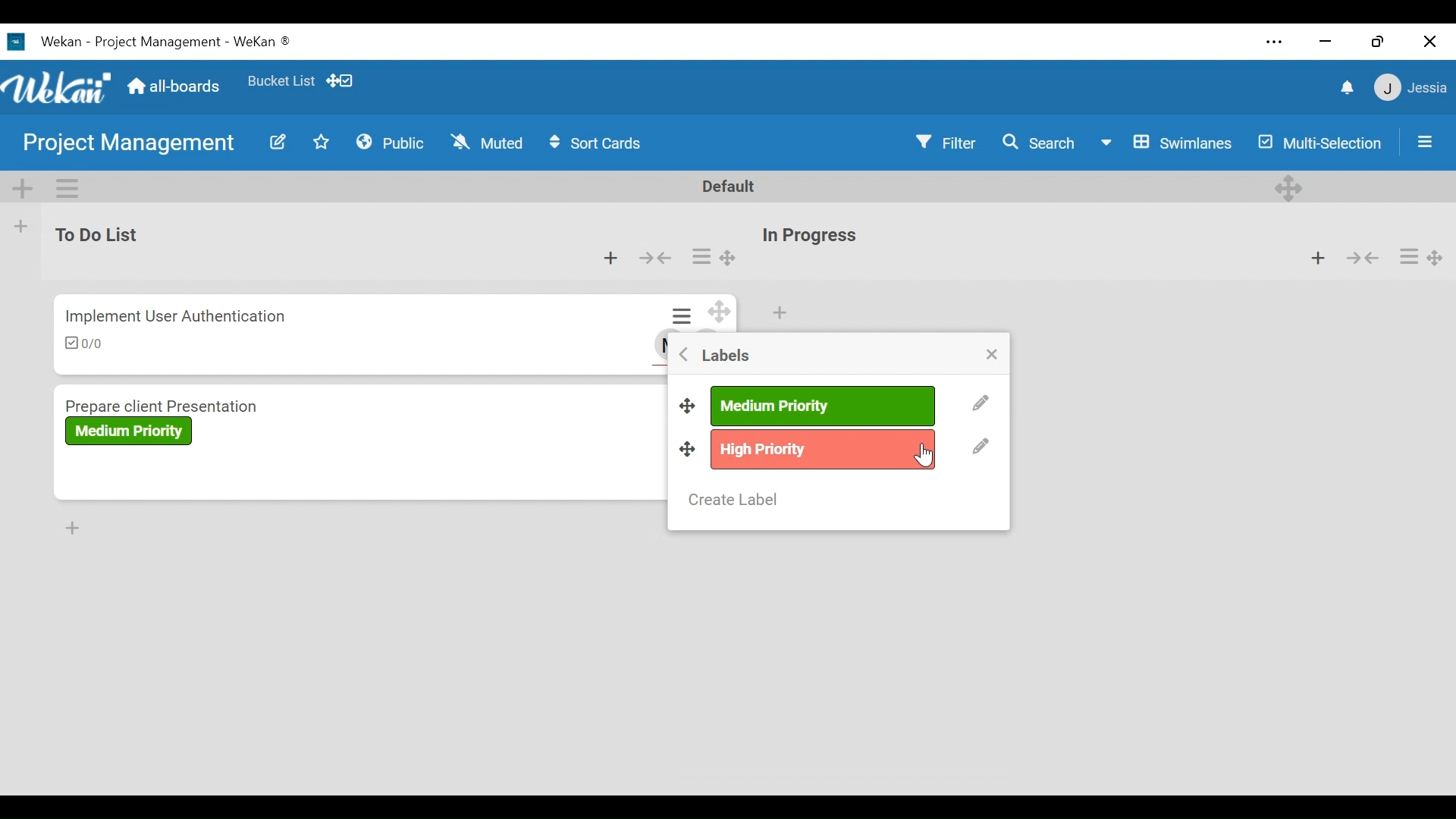 The image size is (1456, 819). I want to click on Show desktop drag handles, so click(342, 80).